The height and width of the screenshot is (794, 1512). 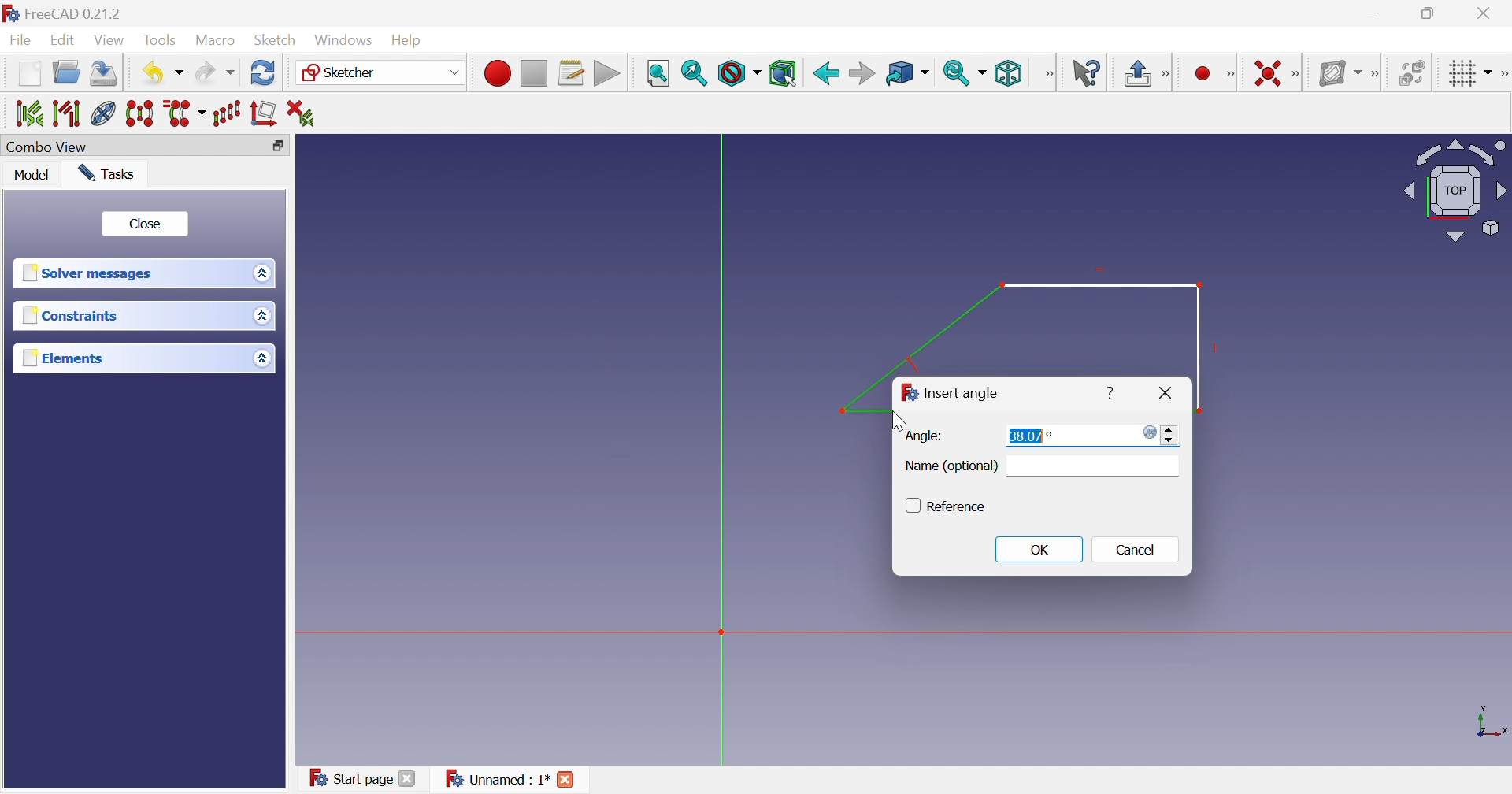 I want to click on Macro recording ..., so click(x=495, y=72).